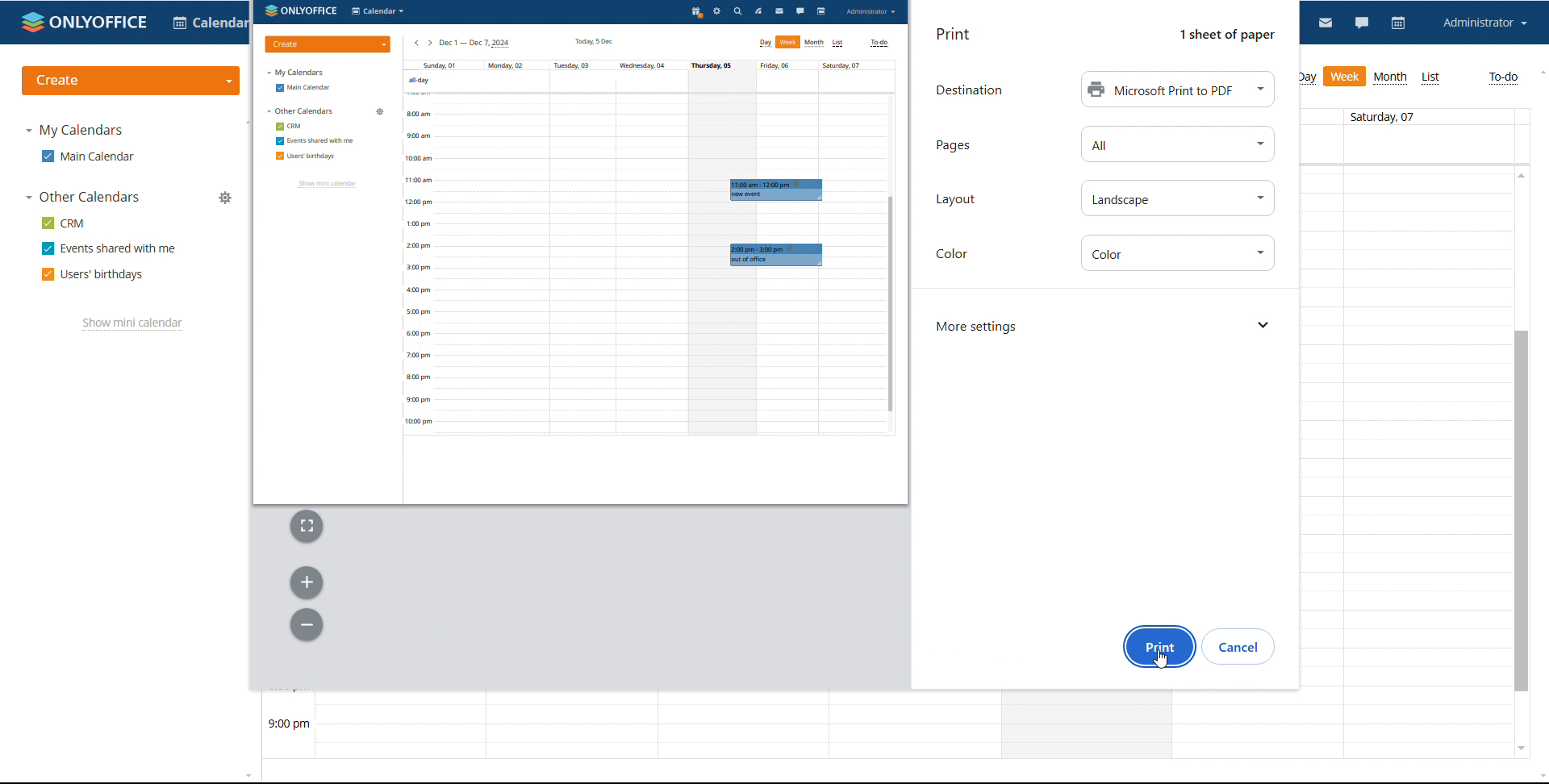 Image resolution: width=1549 pixels, height=784 pixels. What do you see at coordinates (207, 21) in the screenshot?
I see `select application` at bounding box center [207, 21].